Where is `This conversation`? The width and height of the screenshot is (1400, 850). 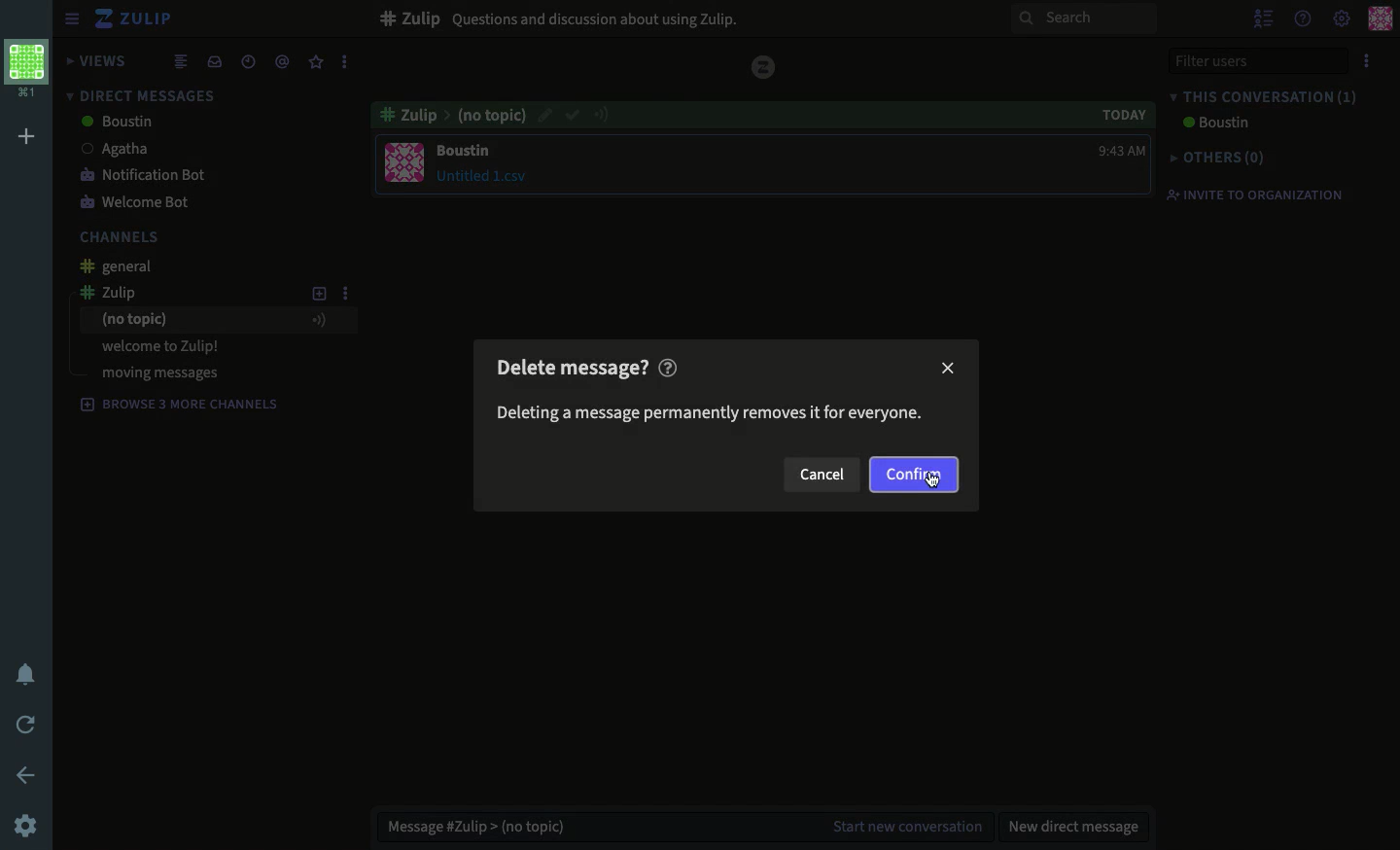 This conversation is located at coordinates (1266, 96).